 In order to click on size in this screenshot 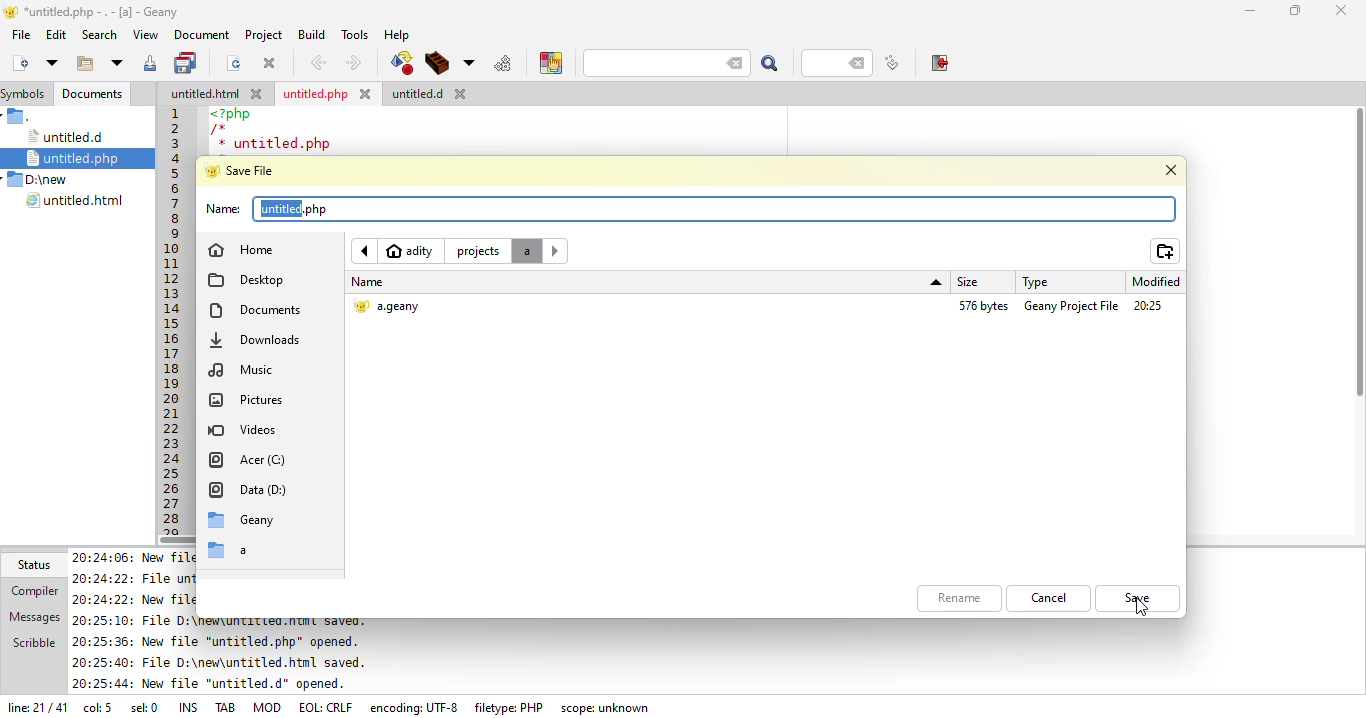, I will do `click(985, 306)`.